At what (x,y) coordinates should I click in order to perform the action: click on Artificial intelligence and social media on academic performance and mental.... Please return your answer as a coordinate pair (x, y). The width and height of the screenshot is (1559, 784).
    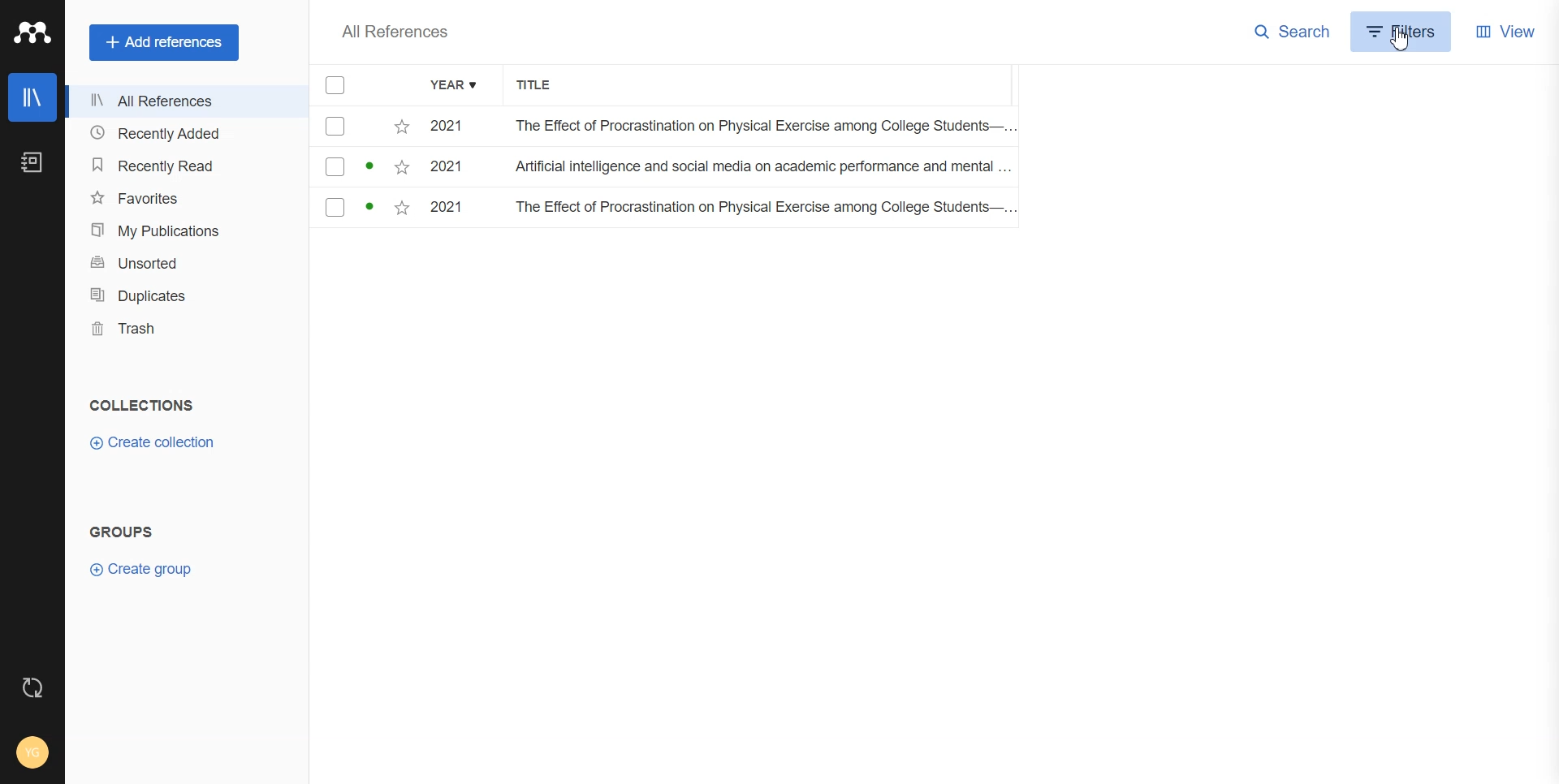
    Looking at the image, I should click on (763, 170).